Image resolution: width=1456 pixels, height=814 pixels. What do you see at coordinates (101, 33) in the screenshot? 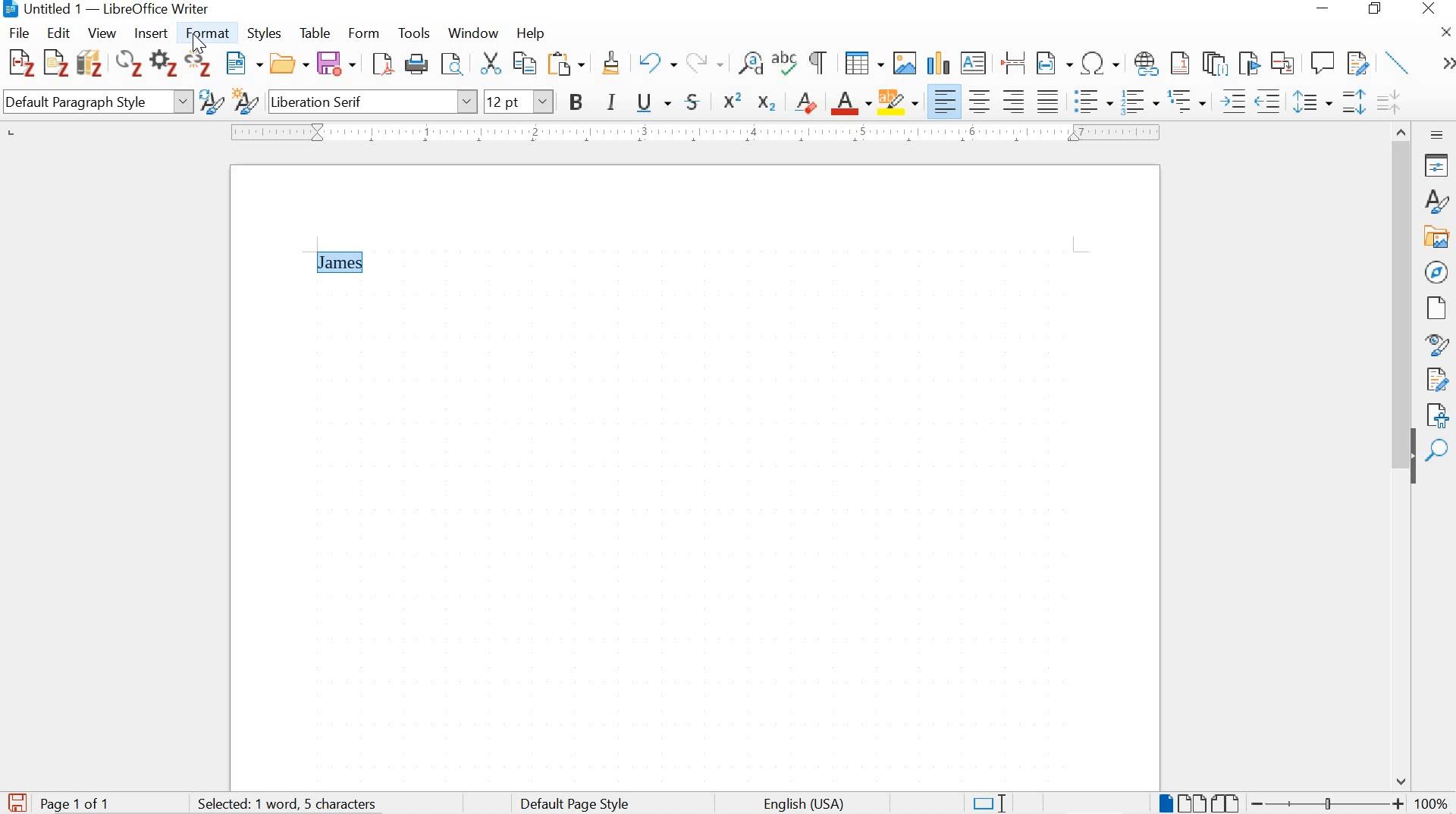
I see `view` at bounding box center [101, 33].